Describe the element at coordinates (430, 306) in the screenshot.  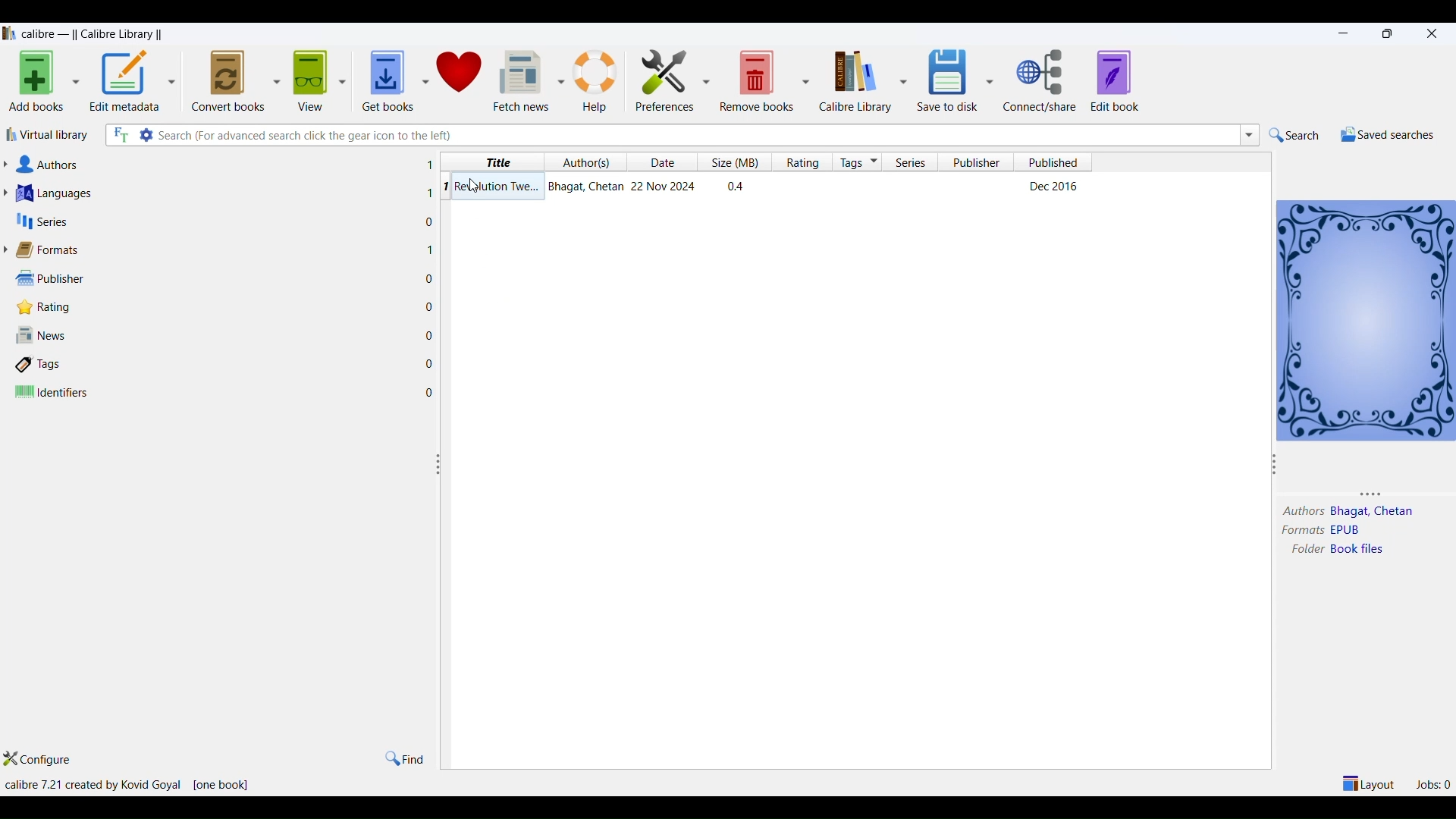
I see `0` at that location.